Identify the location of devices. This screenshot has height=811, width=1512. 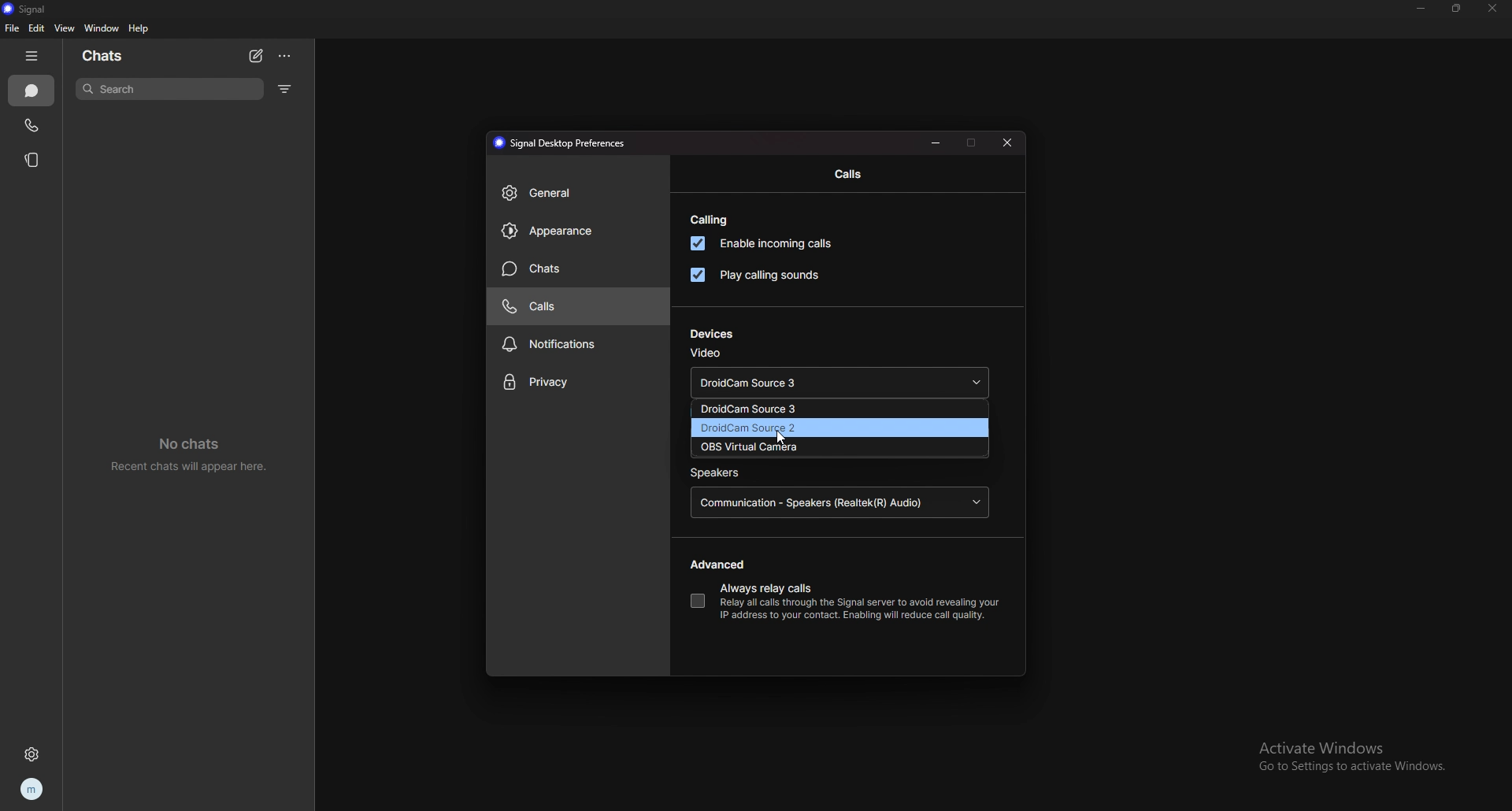
(712, 334).